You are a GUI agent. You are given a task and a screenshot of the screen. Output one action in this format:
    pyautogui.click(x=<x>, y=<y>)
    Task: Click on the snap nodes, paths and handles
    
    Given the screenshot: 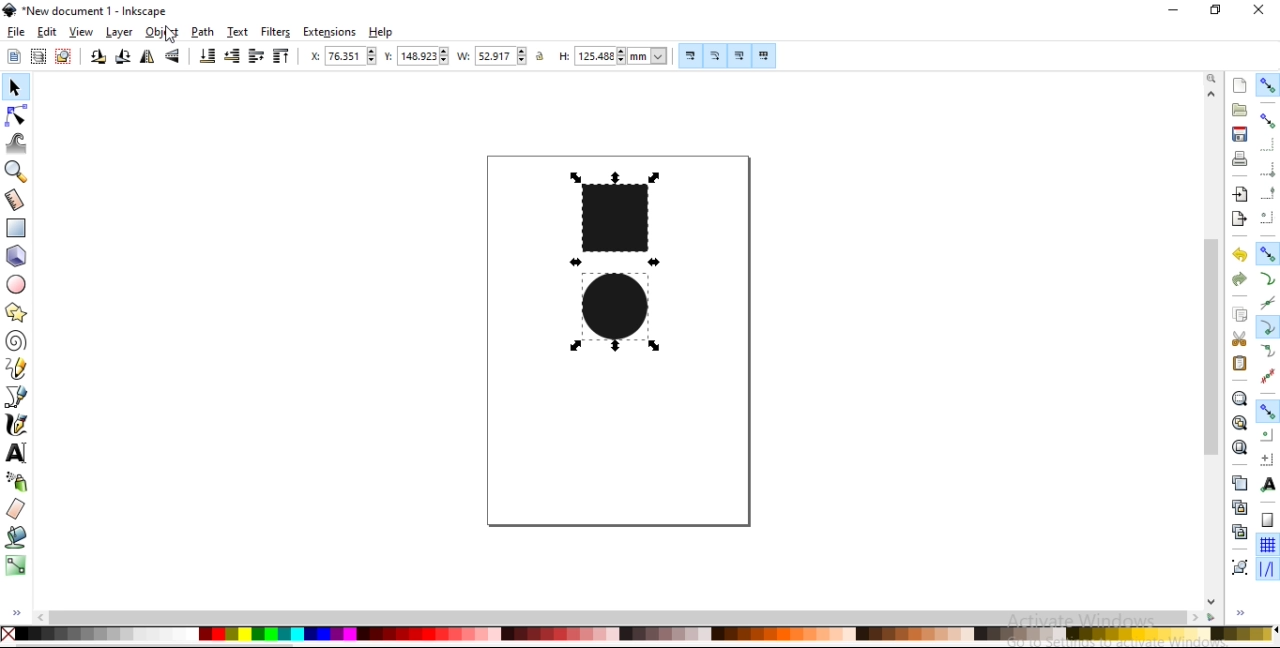 What is the action you would take?
    pyautogui.click(x=1268, y=253)
    